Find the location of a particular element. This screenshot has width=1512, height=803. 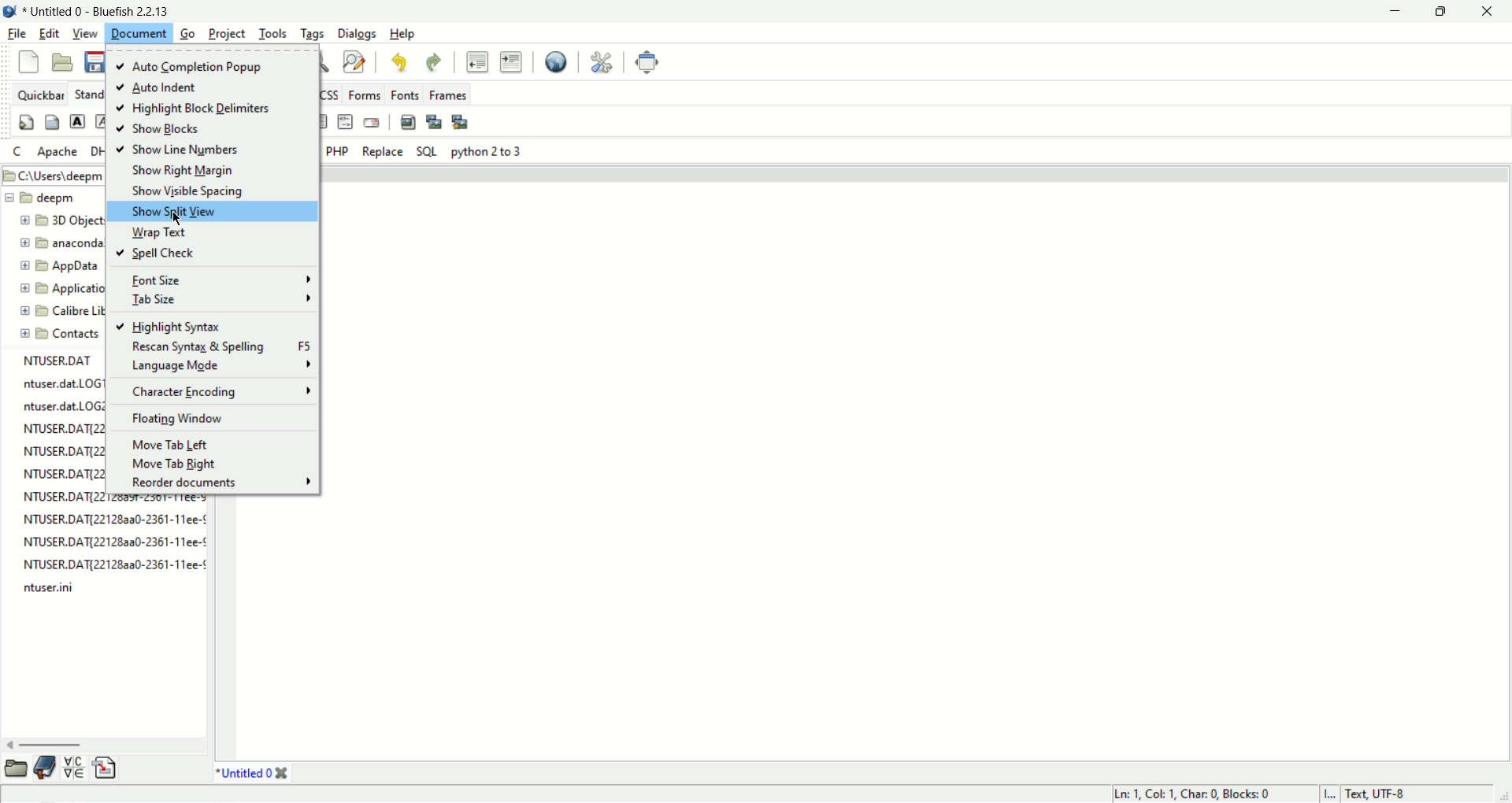

close is located at coordinates (1492, 11).